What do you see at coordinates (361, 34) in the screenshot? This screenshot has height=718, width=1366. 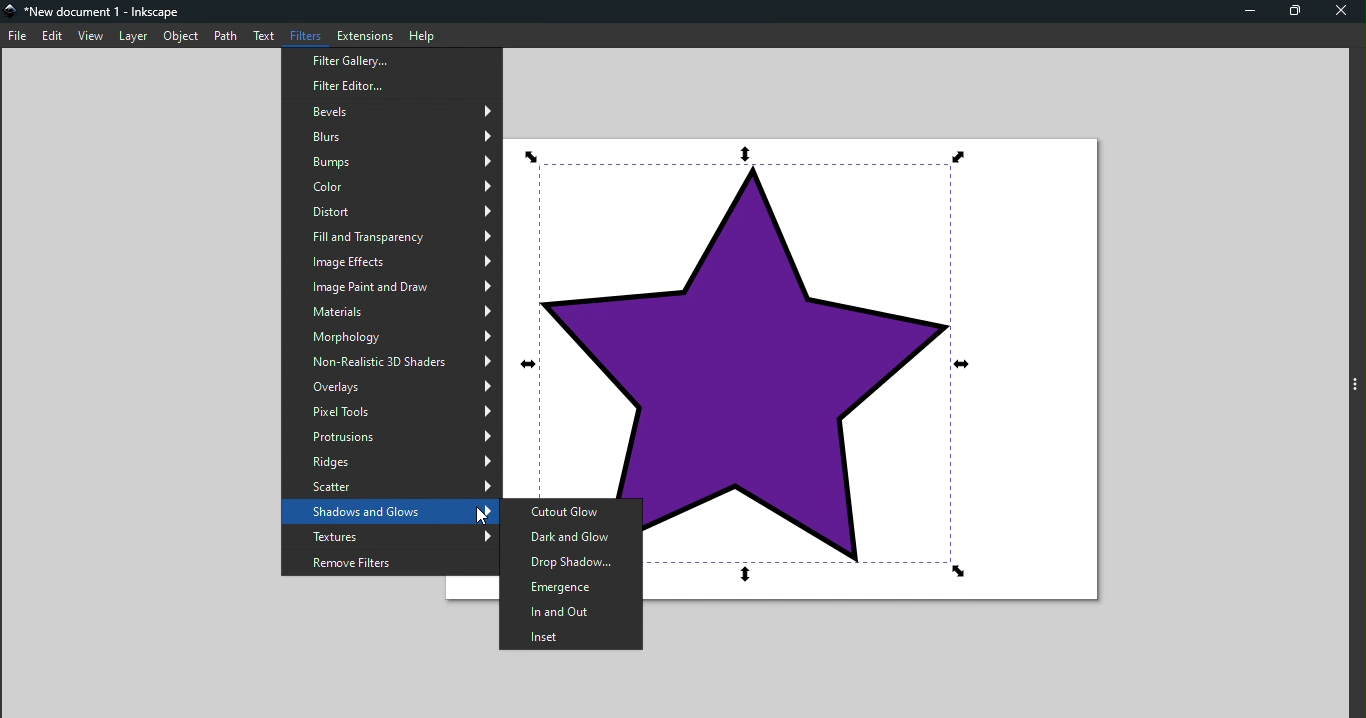 I see `Extensions` at bounding box center [361, 34].